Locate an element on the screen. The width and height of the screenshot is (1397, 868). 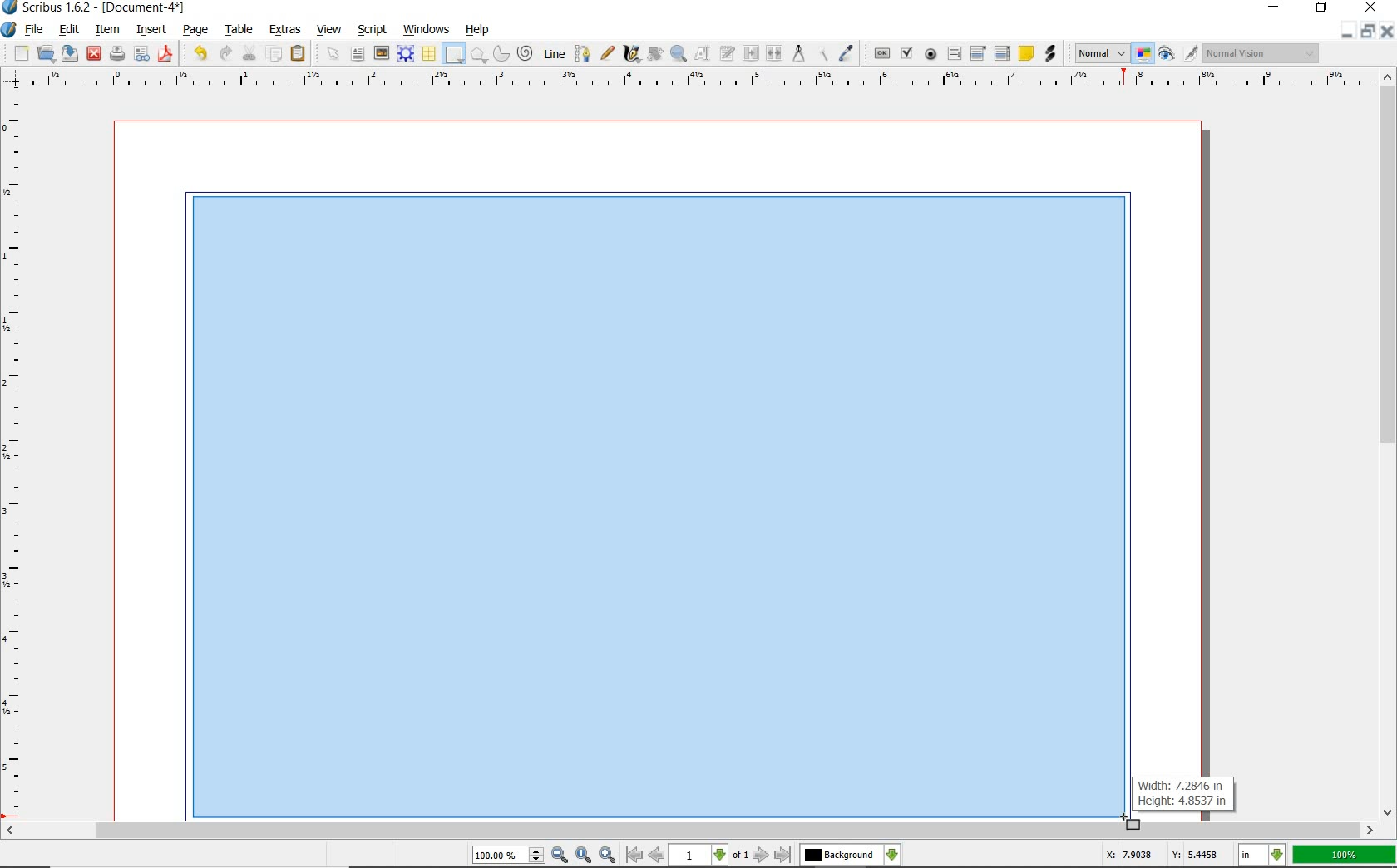
minimize is located at coordinates (1275, 7).